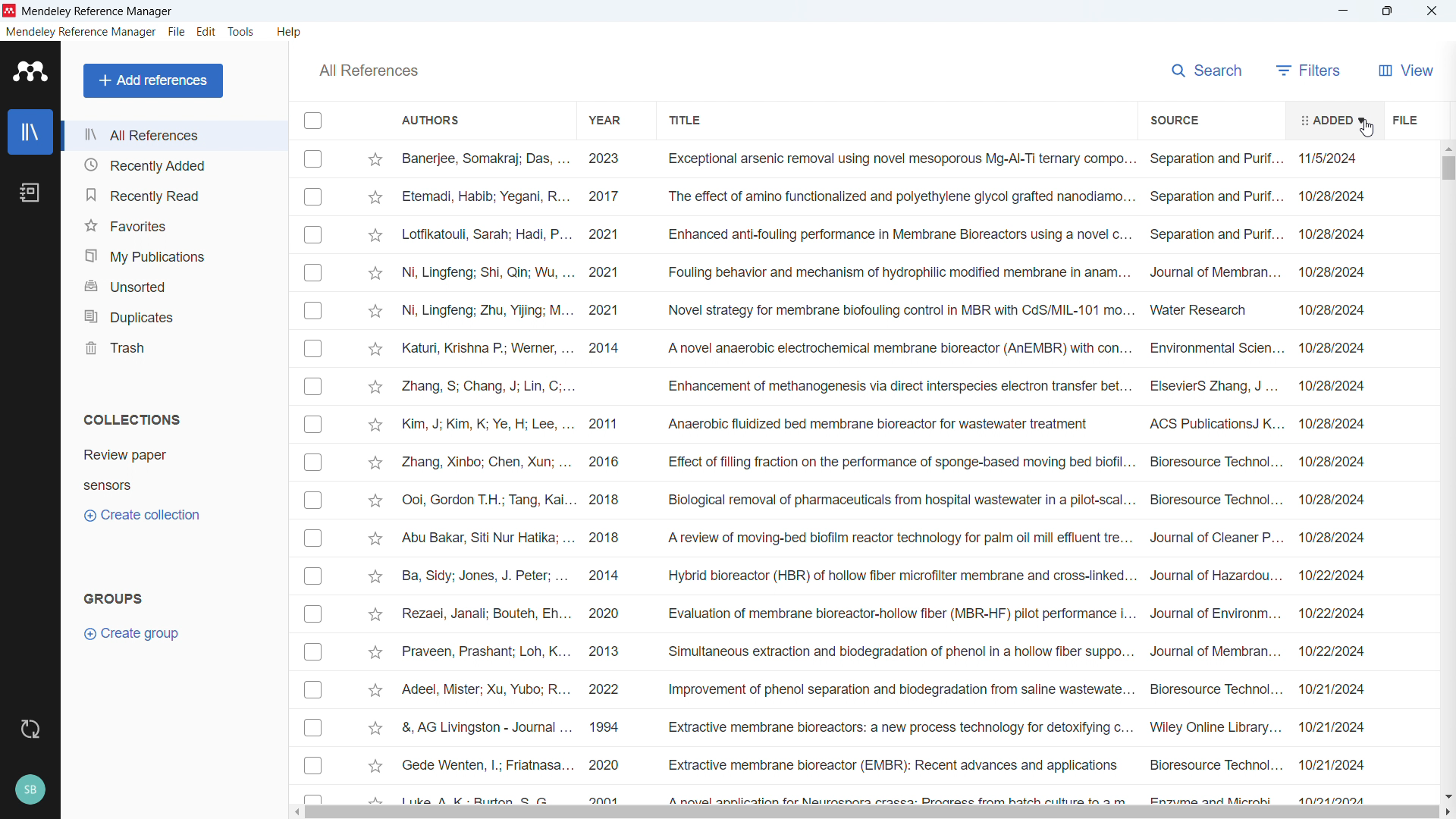 This screenshot has width=1456, height=819. Describe the element at coordinates (130, 419) in the screenshot. I see `Collection ` at that location.